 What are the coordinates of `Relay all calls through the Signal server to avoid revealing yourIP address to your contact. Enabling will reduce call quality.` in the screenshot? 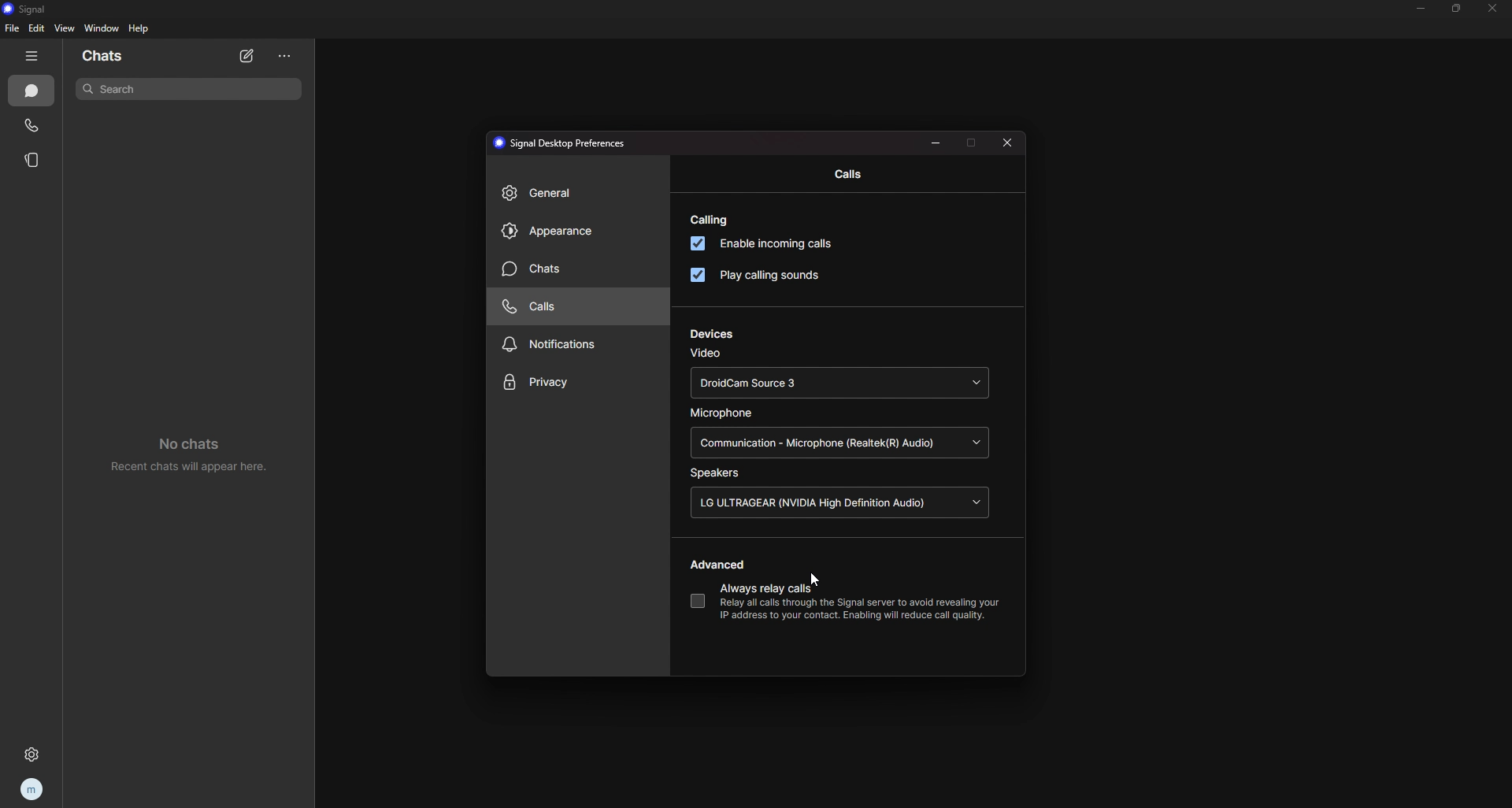 It's located at (862, 610).